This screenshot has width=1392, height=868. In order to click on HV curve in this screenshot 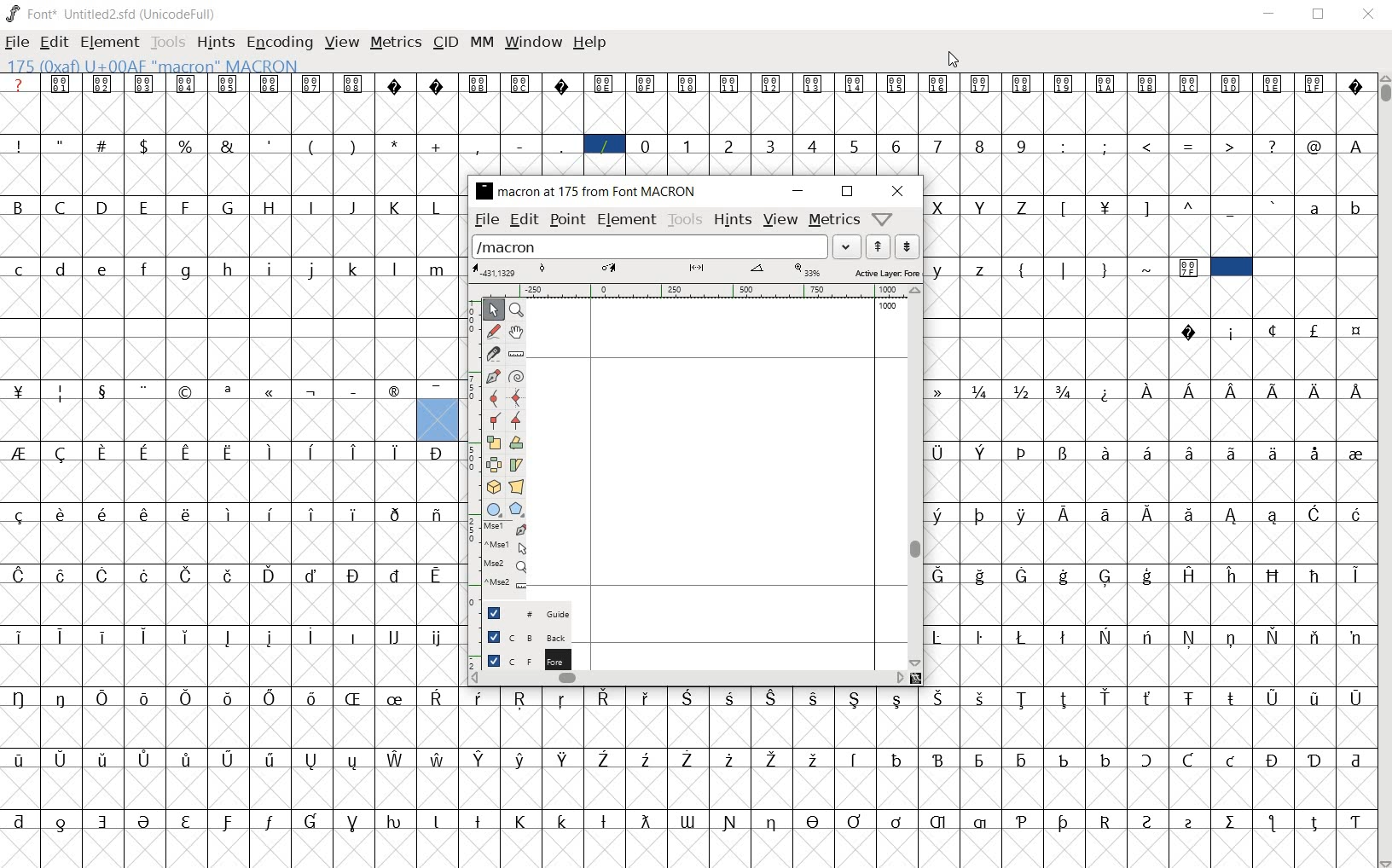, I will do `click(517, 398)`.